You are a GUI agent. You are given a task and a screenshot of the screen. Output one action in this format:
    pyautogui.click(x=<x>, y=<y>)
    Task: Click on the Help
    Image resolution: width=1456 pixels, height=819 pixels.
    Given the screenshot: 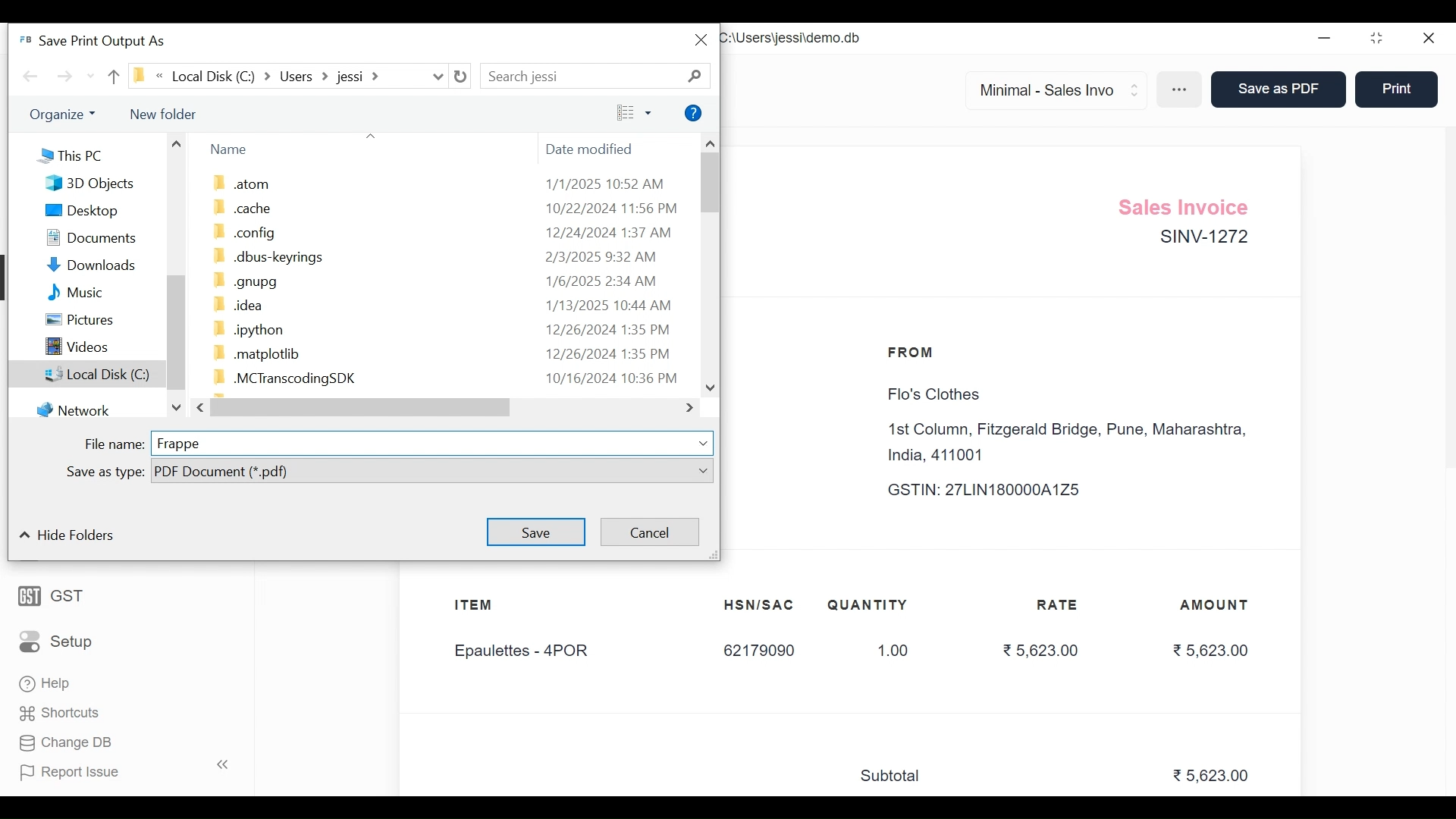 What is the action you would take?
    pyautogui.click(x=695, y=114)
    